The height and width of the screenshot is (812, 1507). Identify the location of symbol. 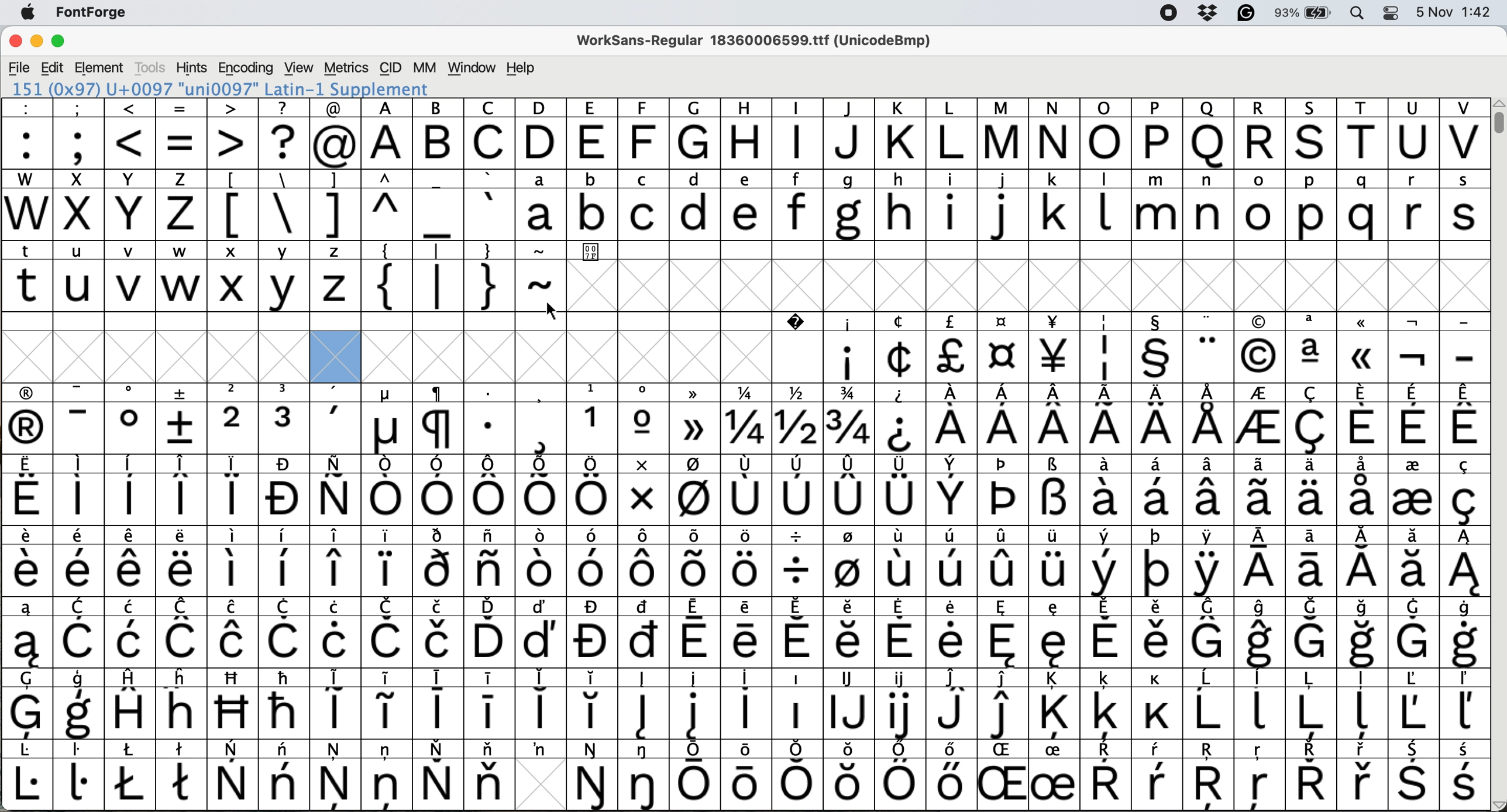
(1464, 562).